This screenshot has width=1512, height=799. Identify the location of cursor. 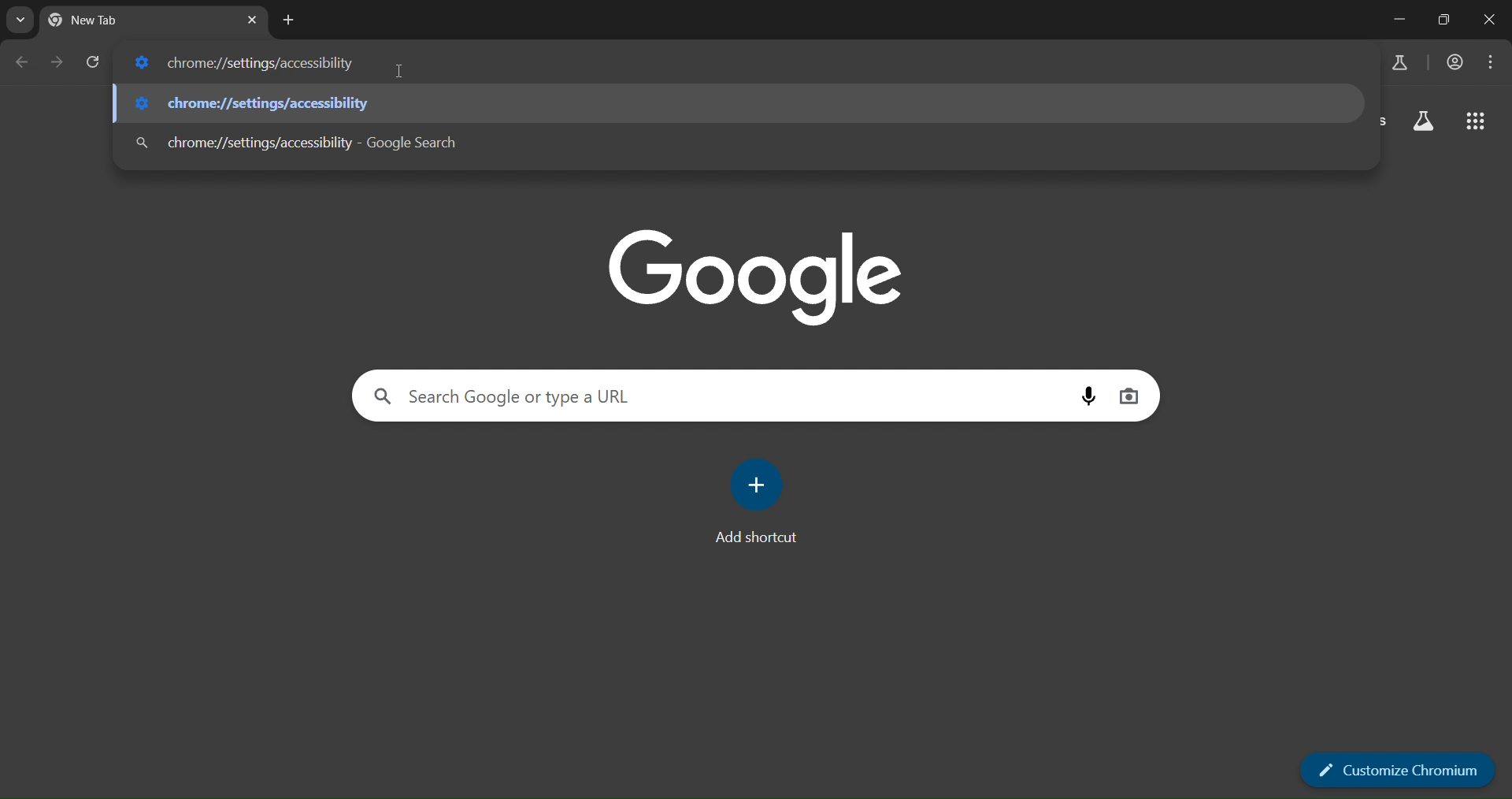
(401, 71).